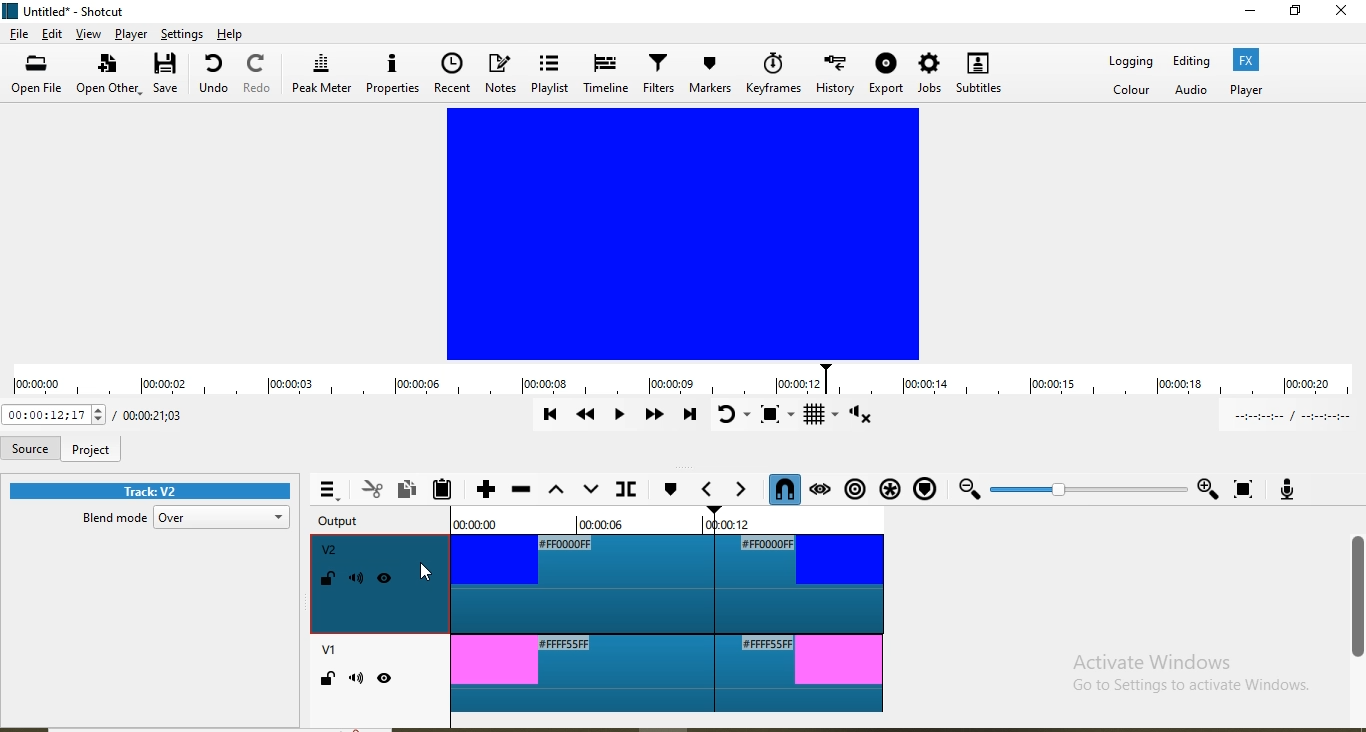 The image size is (1366, 732). Describe the element at coordinates (670, 491) in the screenshot. I see `create/edit marker` at that location.